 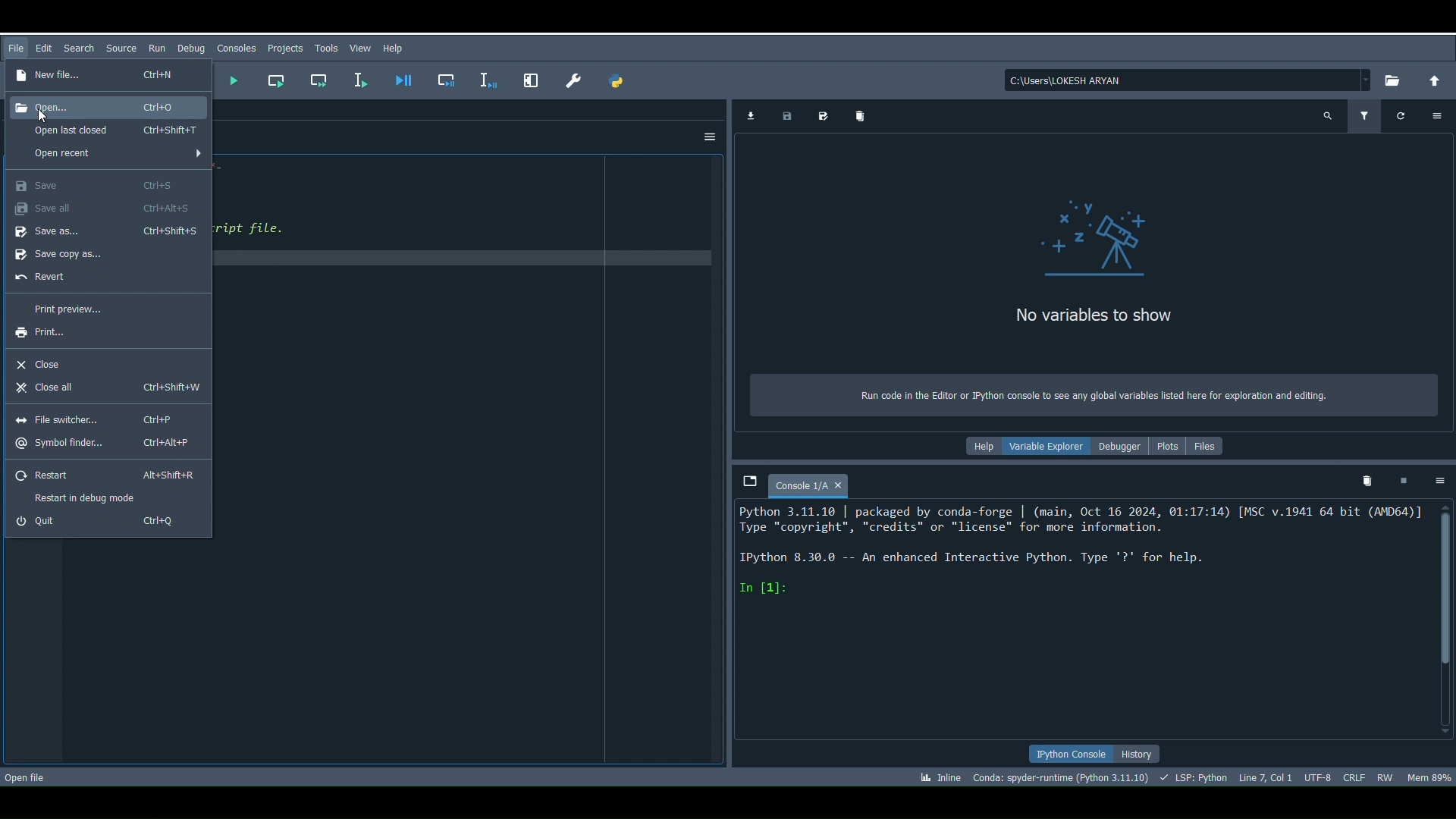 I want to click on Click to toggle between inline and interactive Matplotlib plotting, so click(x=945, y=775).